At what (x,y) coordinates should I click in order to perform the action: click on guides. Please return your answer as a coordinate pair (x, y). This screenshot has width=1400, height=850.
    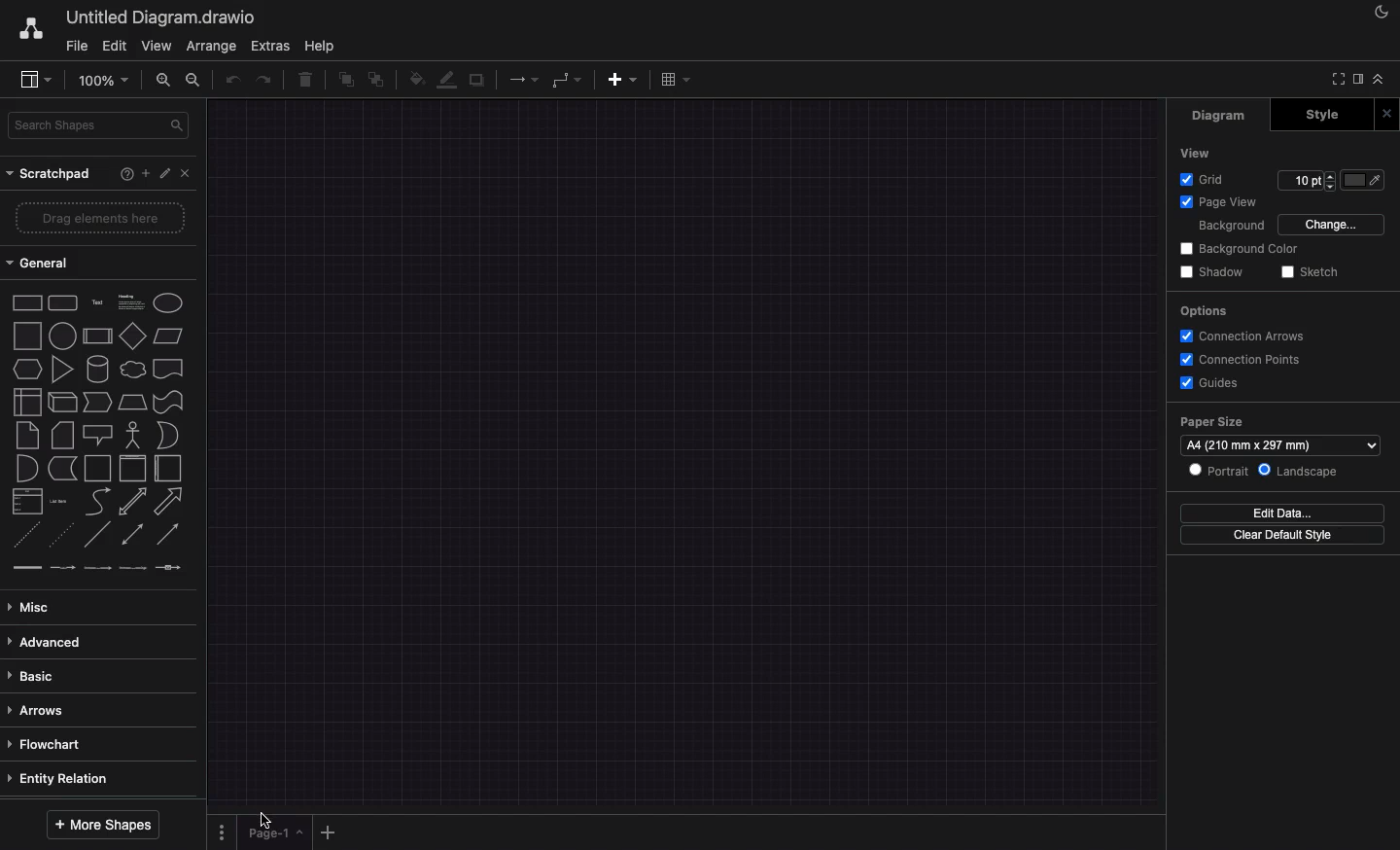
    Looking at the image, I should click on (1211, 383).